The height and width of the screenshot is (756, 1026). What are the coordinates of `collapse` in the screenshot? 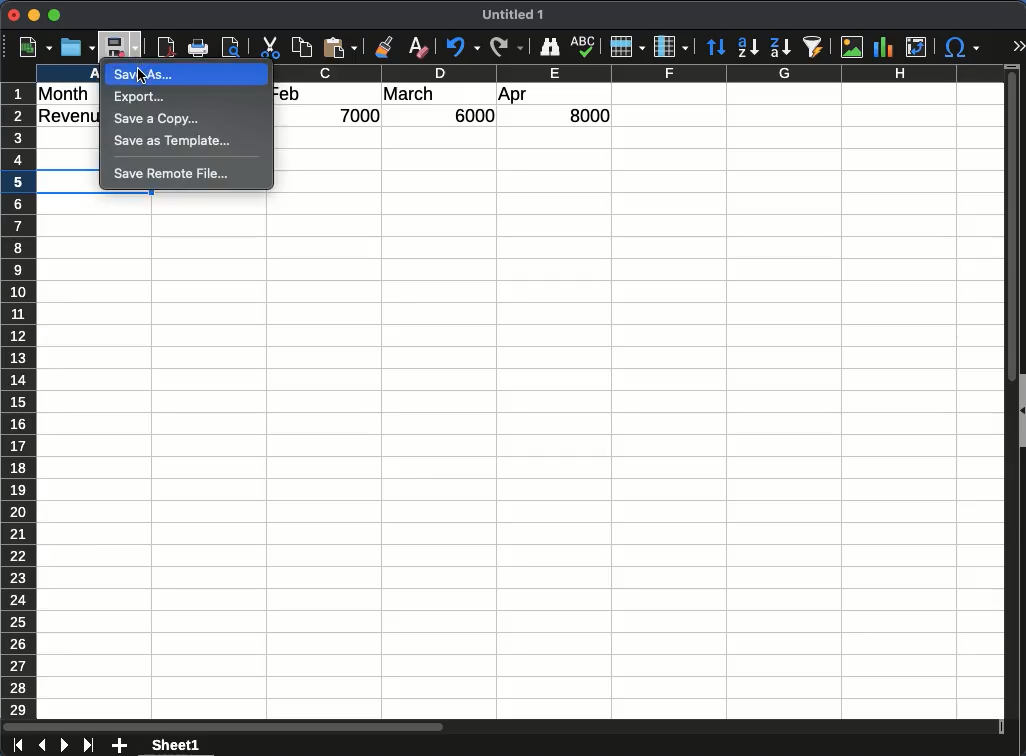 It's located at (1020, 408).